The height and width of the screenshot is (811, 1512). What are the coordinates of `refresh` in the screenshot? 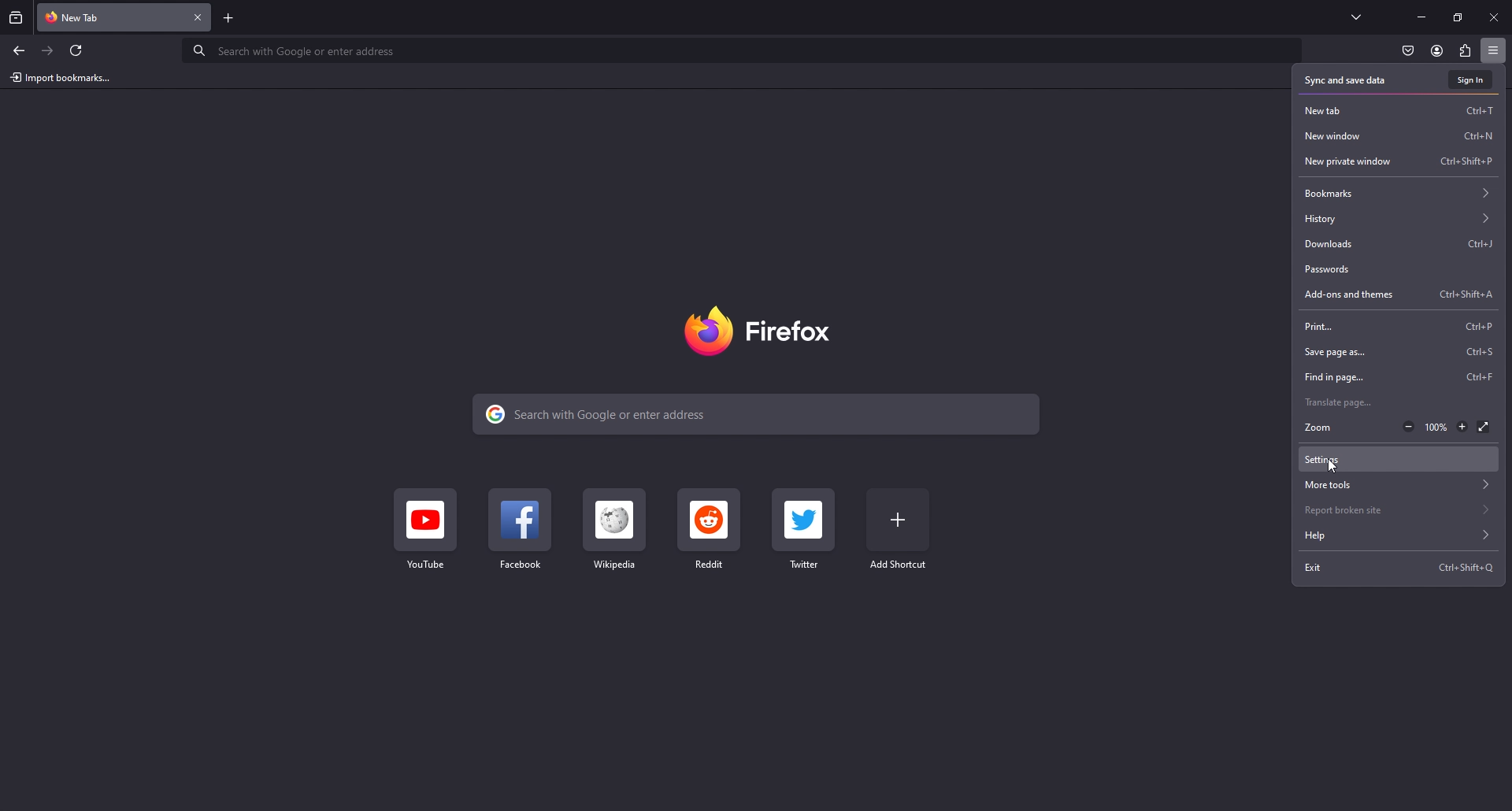 It's located at (76, 50).